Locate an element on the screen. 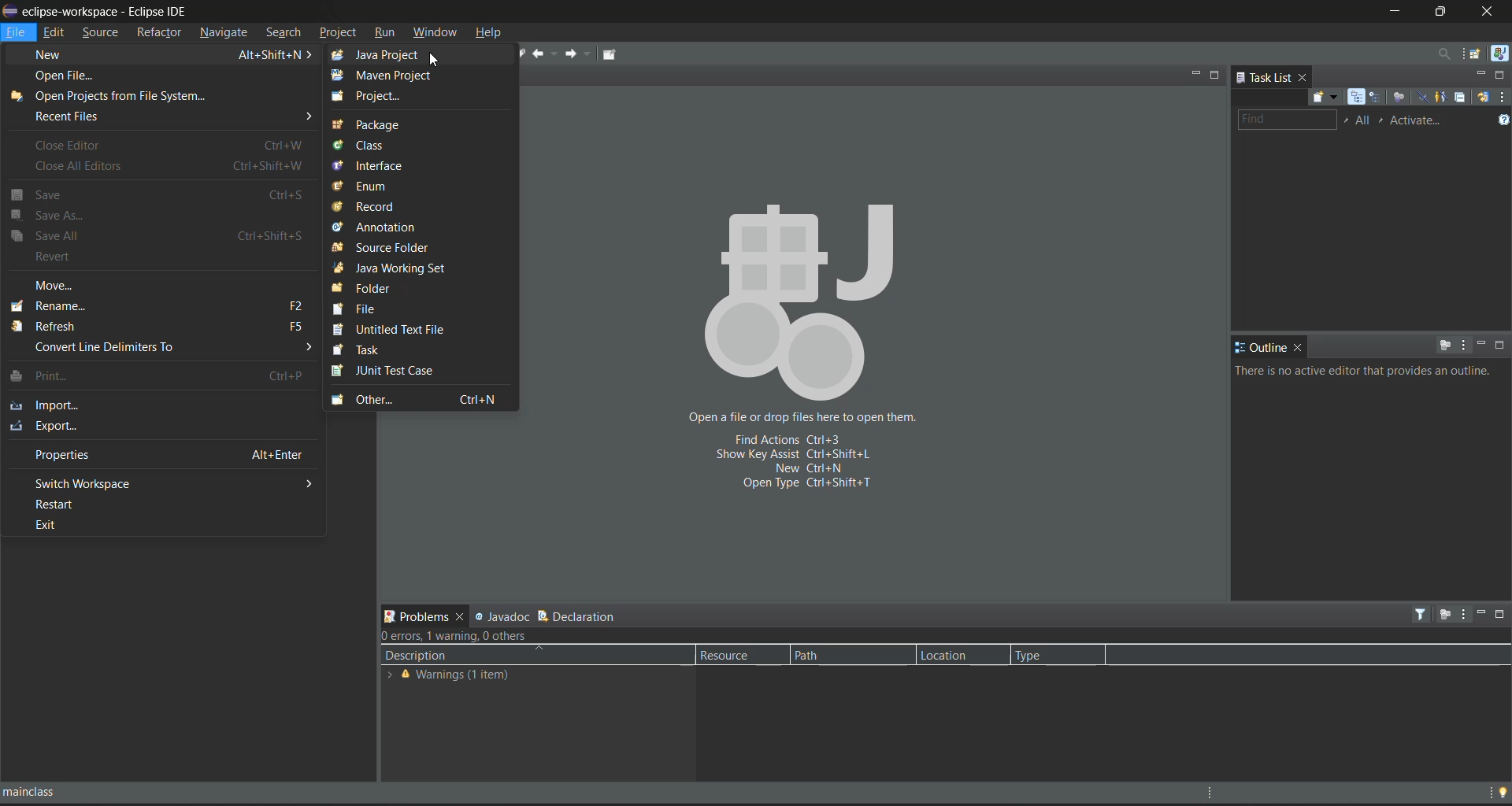 The width and height of the screenshot is (1512, 806). interface is located at coordinates (382, 165).